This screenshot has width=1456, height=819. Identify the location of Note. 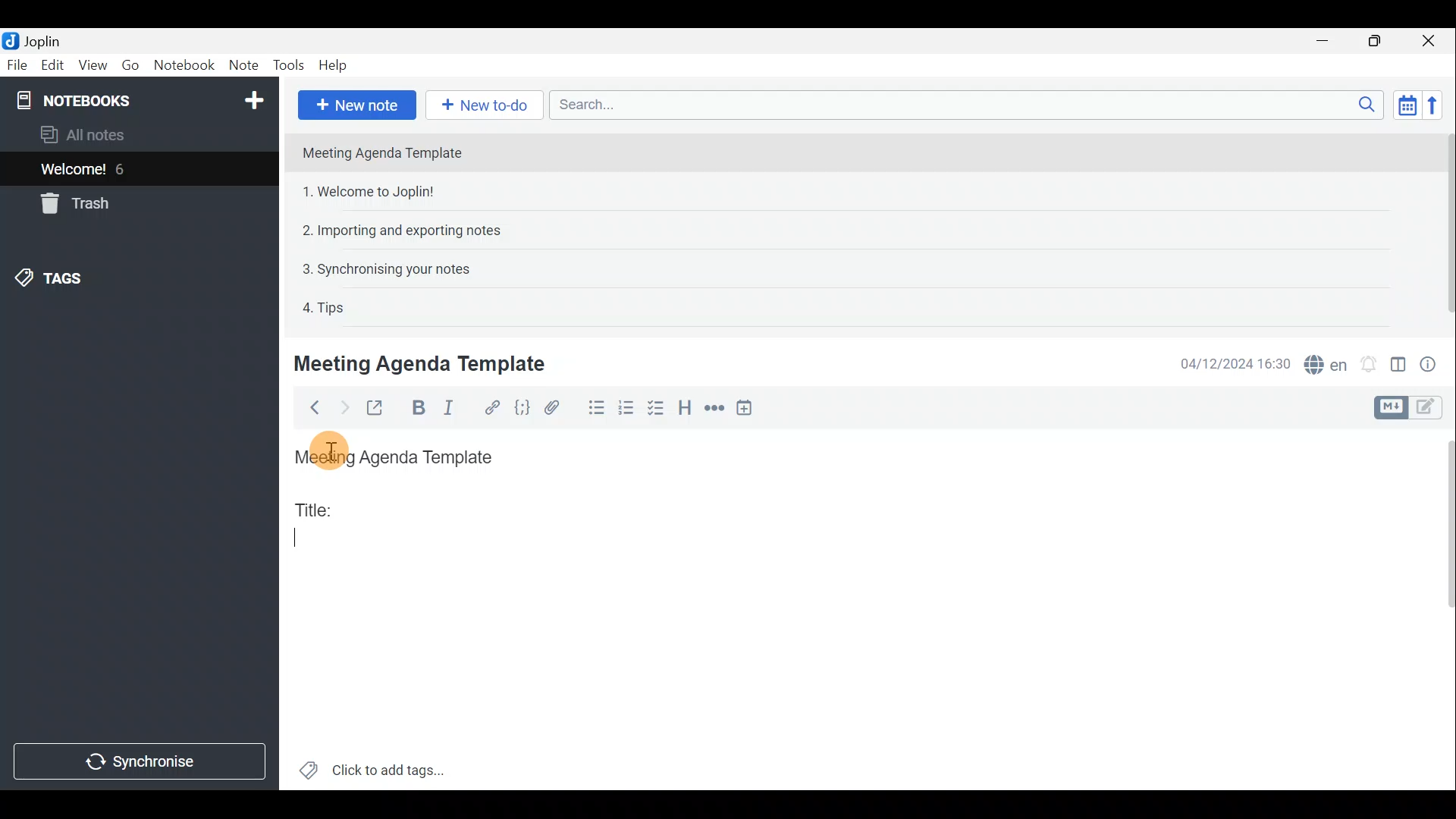
(242, 62).